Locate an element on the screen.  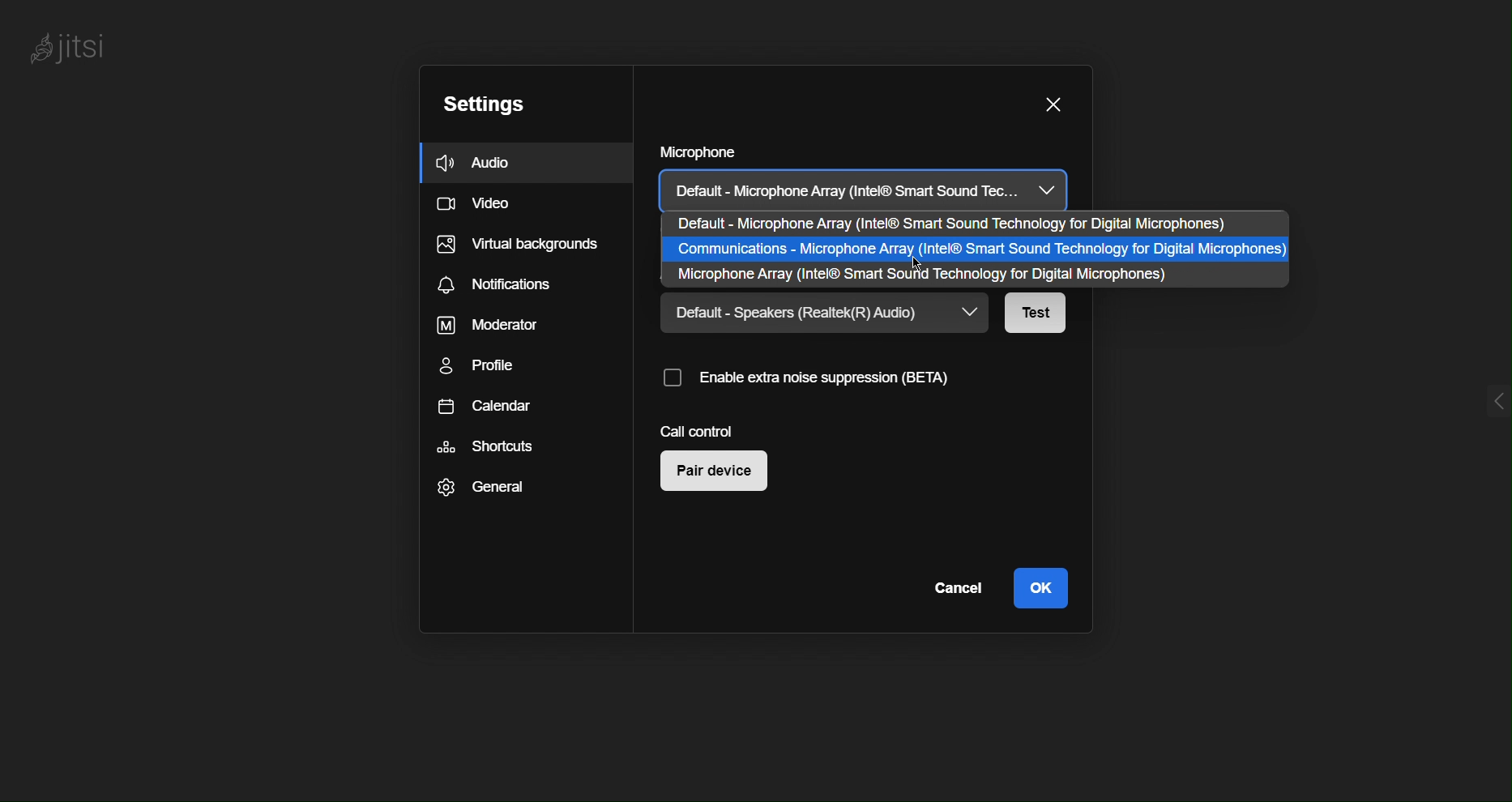
Virtual backgrounds is located at coordinates (519, 247).